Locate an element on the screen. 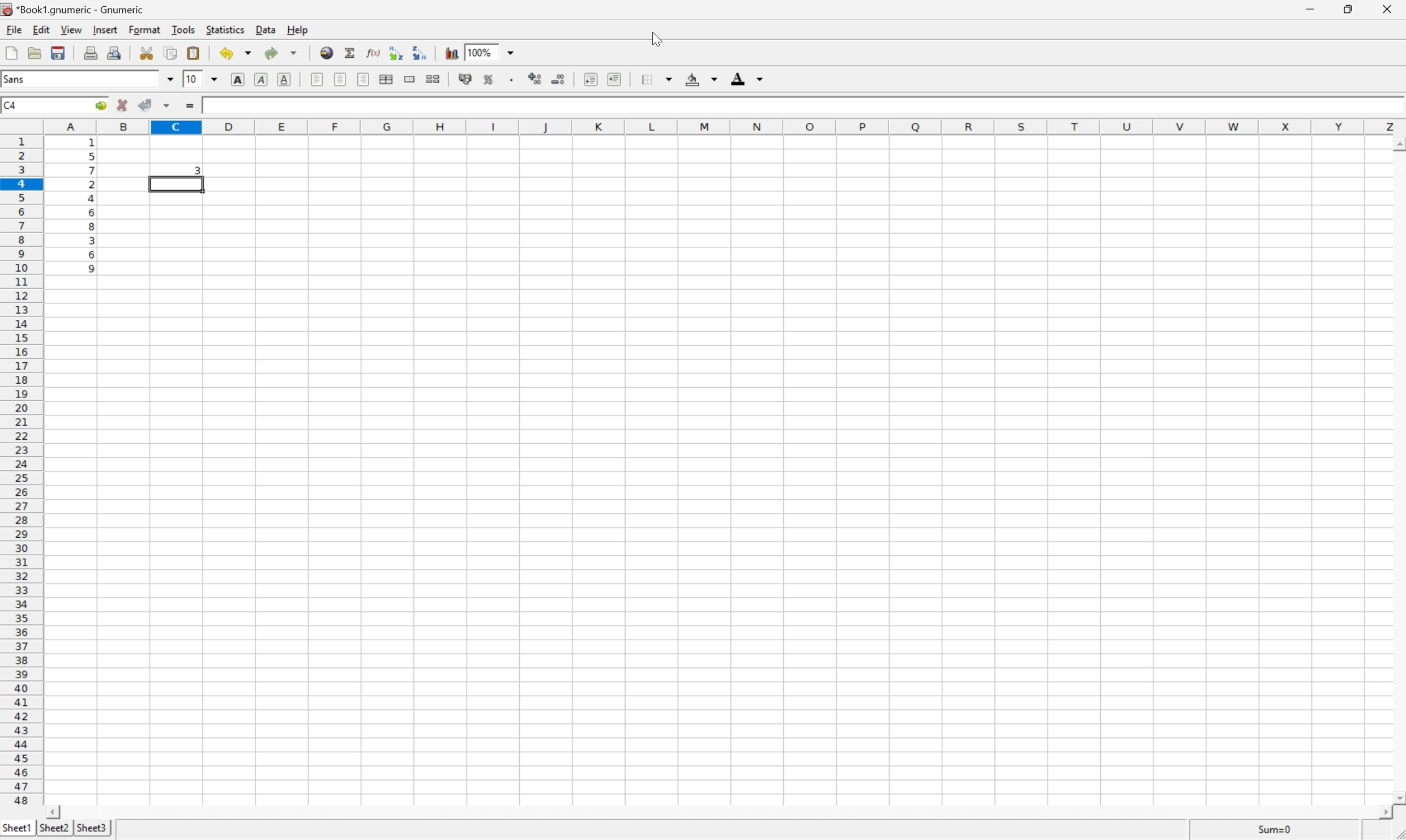  drop down is located at coordinates (514, 52).